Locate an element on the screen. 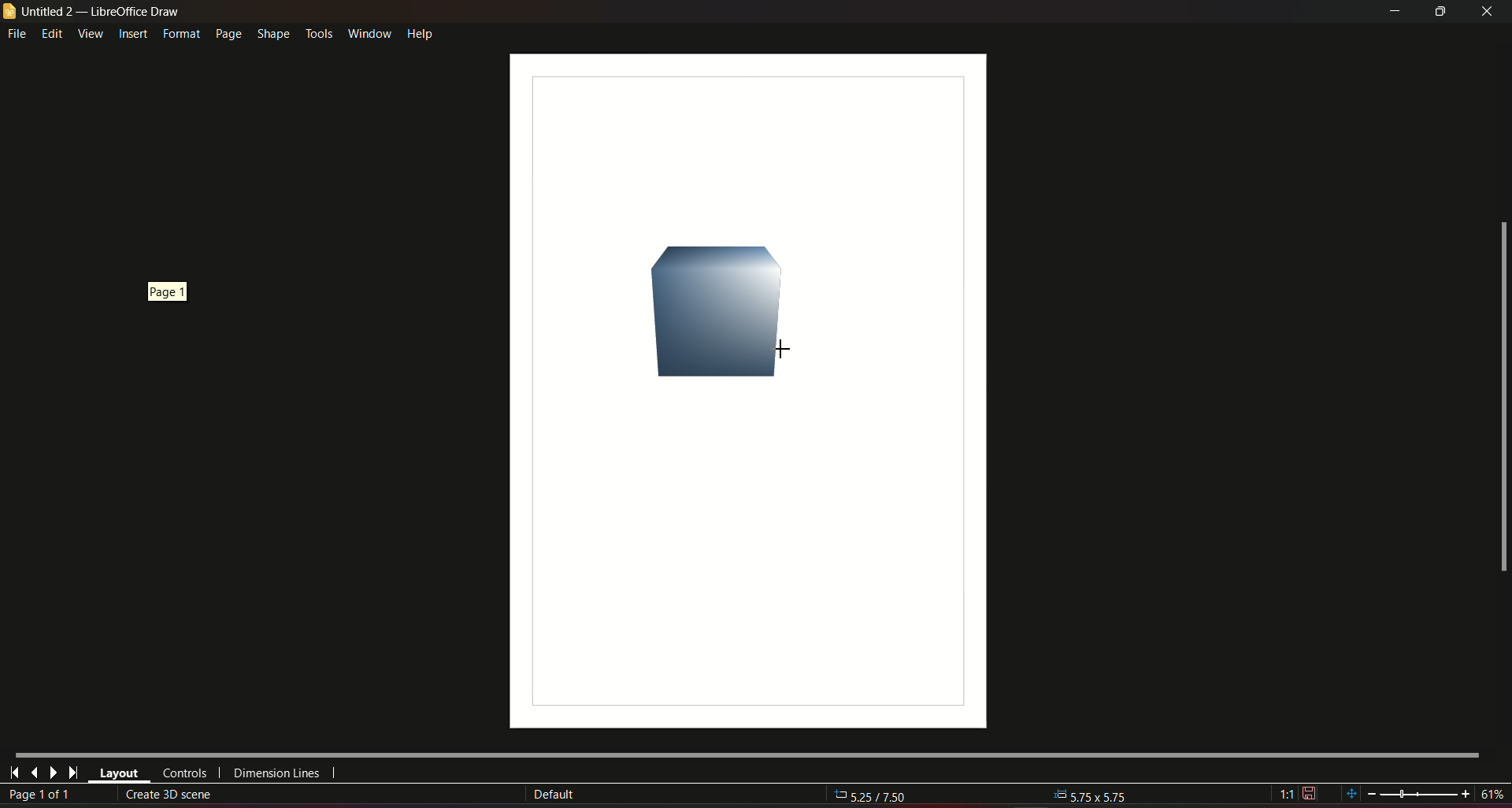 The image size is (1512, 808). page is located at coordinates (227, 34).